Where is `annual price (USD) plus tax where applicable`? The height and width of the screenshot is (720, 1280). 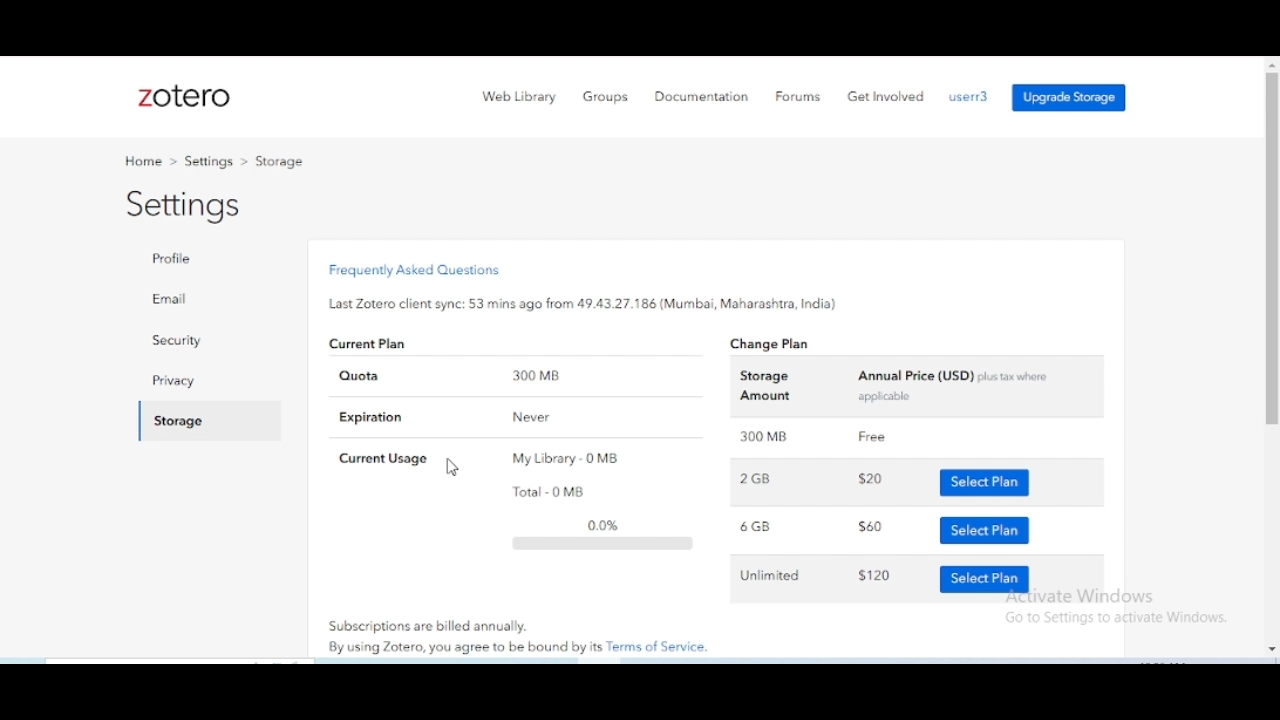 annual price (USD) plus tax where applicable is located at coordinates (954, 385).